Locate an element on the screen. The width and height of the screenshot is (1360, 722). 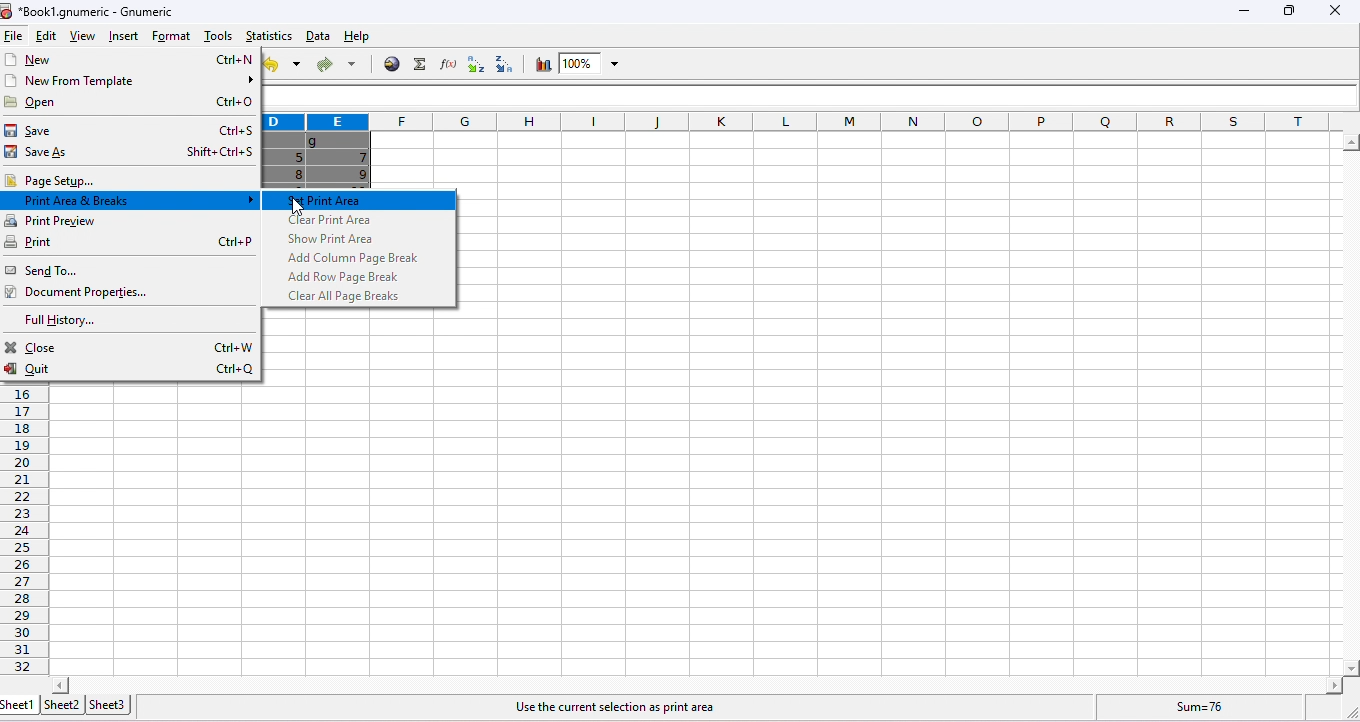
help is located at coordinates (365, 38).